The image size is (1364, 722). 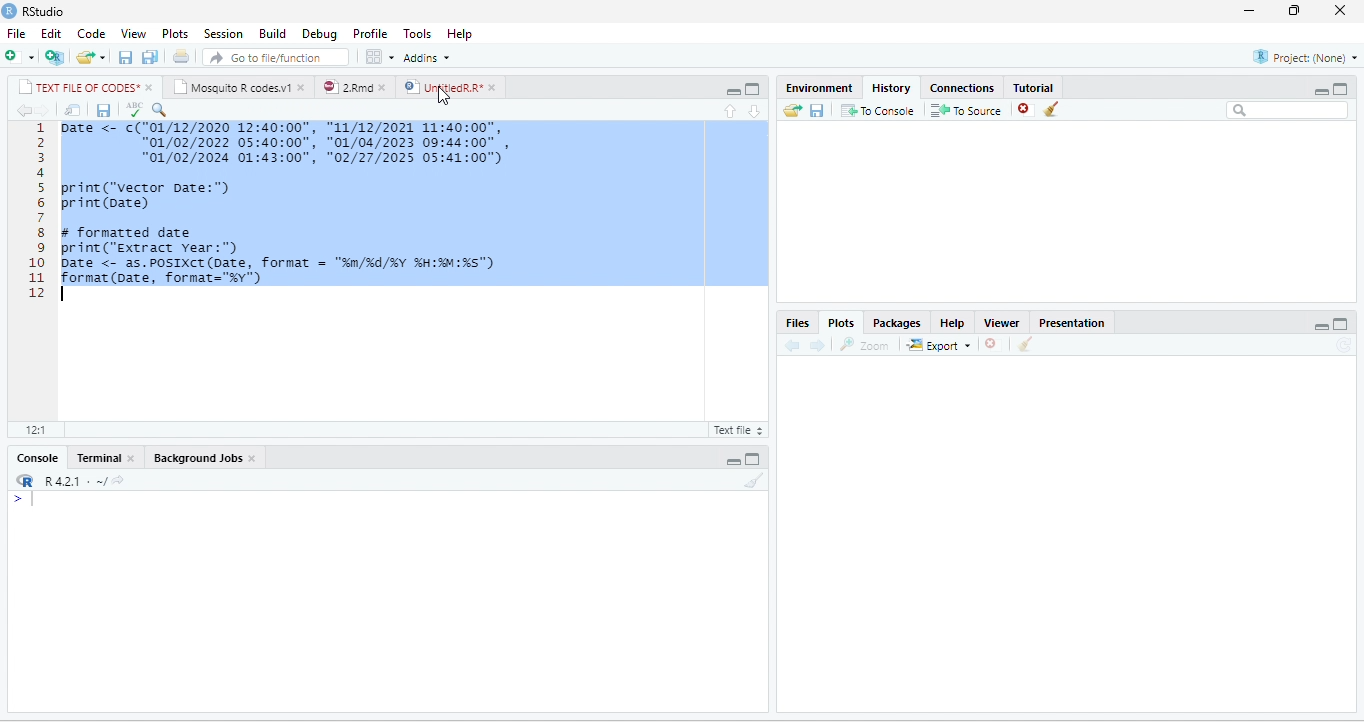 What do you see at coordinates (1034, 88) in the screenshot?
I see `Tutorial` at bounding box center [1034, 88].